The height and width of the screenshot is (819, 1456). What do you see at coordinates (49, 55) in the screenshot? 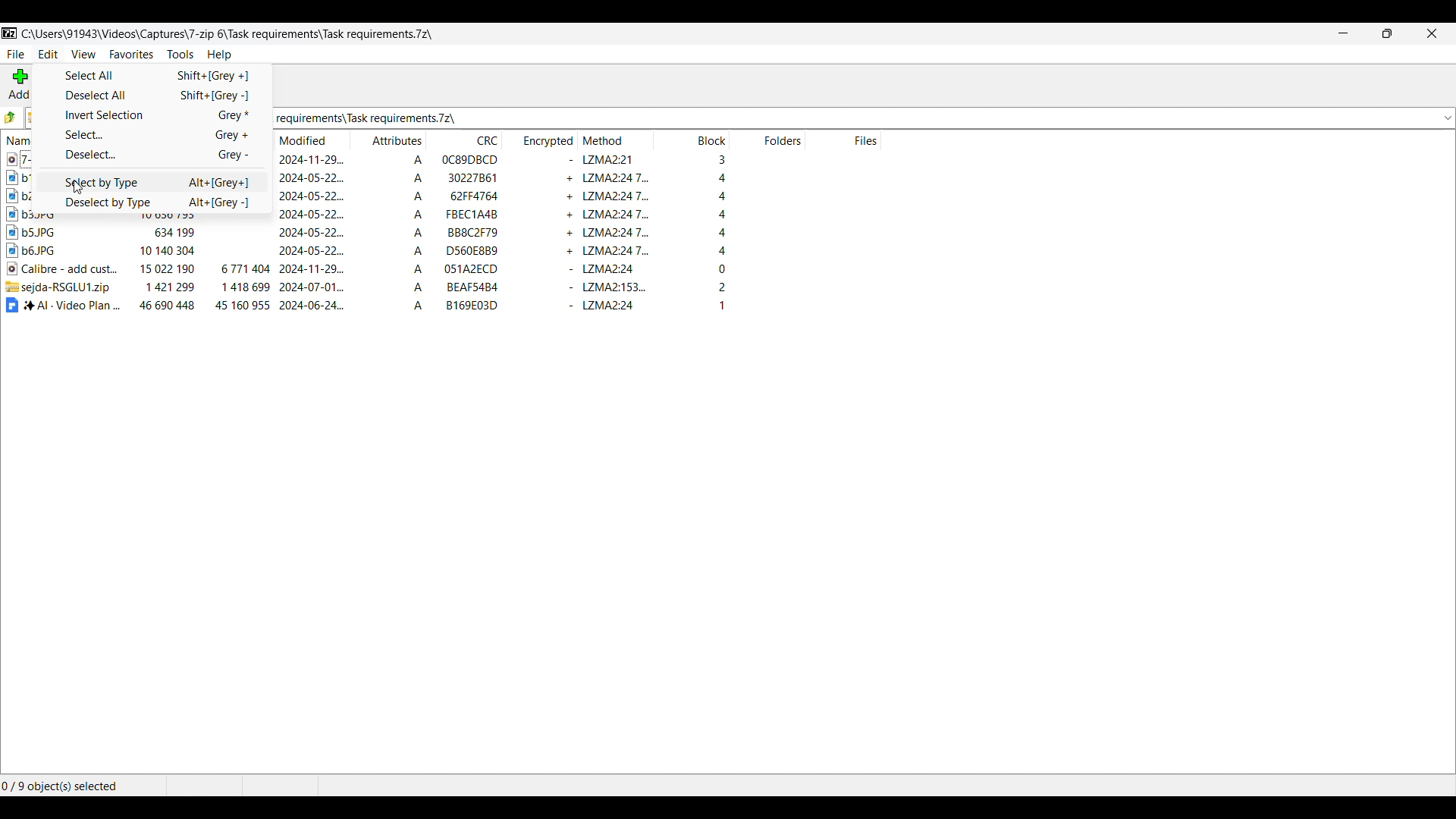
I see `Edit menu` at bounding box center [49, 55].